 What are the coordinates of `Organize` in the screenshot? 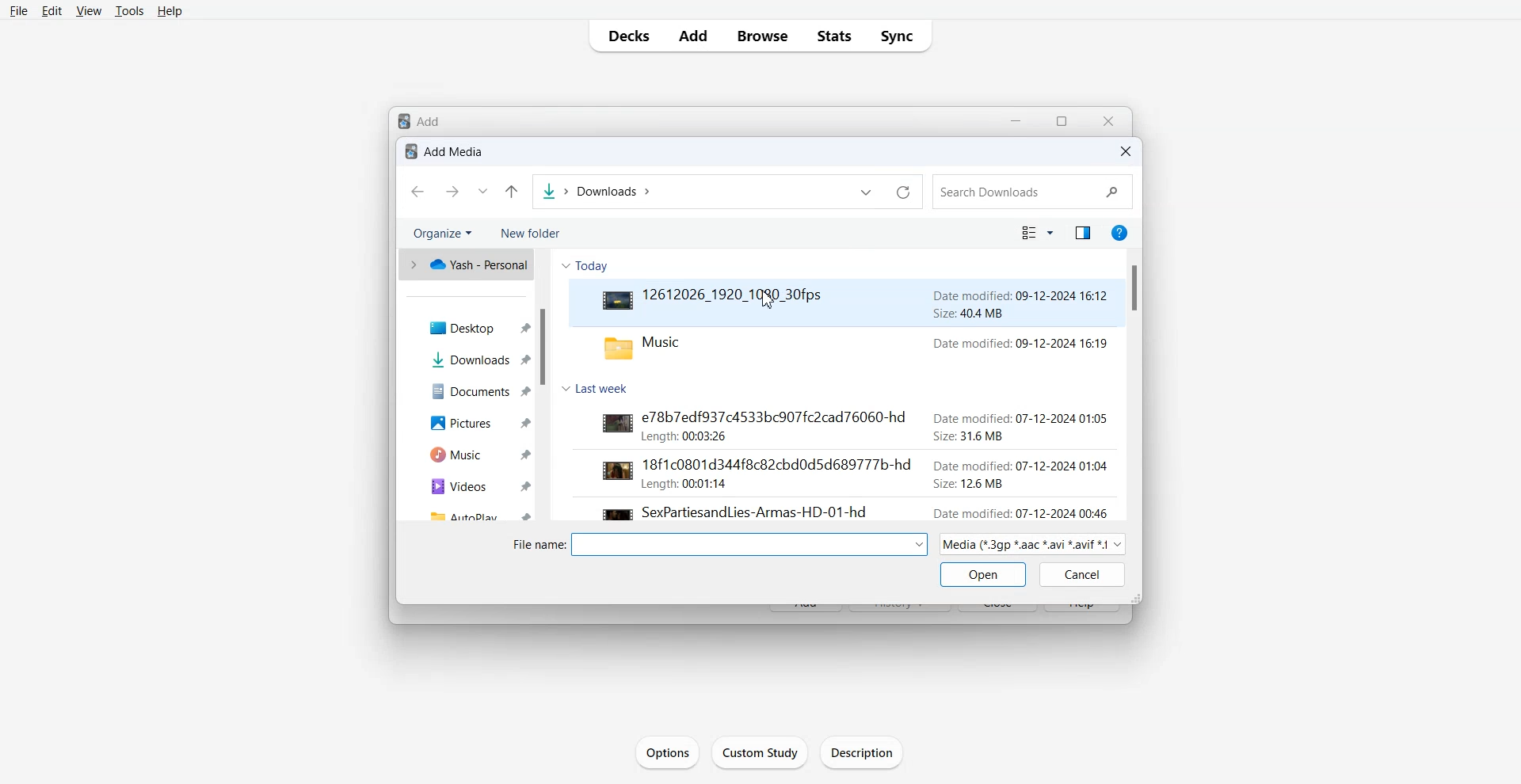 It's located at (437, 233).